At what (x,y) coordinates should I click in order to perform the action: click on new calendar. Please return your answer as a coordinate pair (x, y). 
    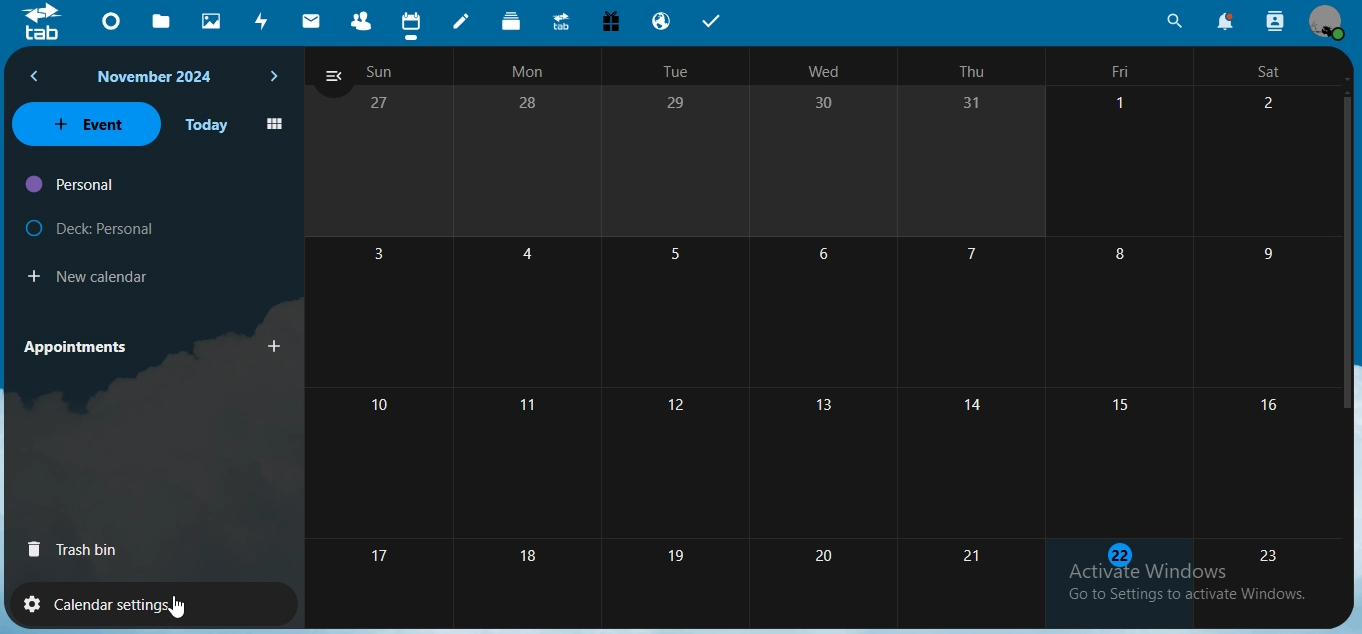
    Looking at the image, I should click on (94, 274).